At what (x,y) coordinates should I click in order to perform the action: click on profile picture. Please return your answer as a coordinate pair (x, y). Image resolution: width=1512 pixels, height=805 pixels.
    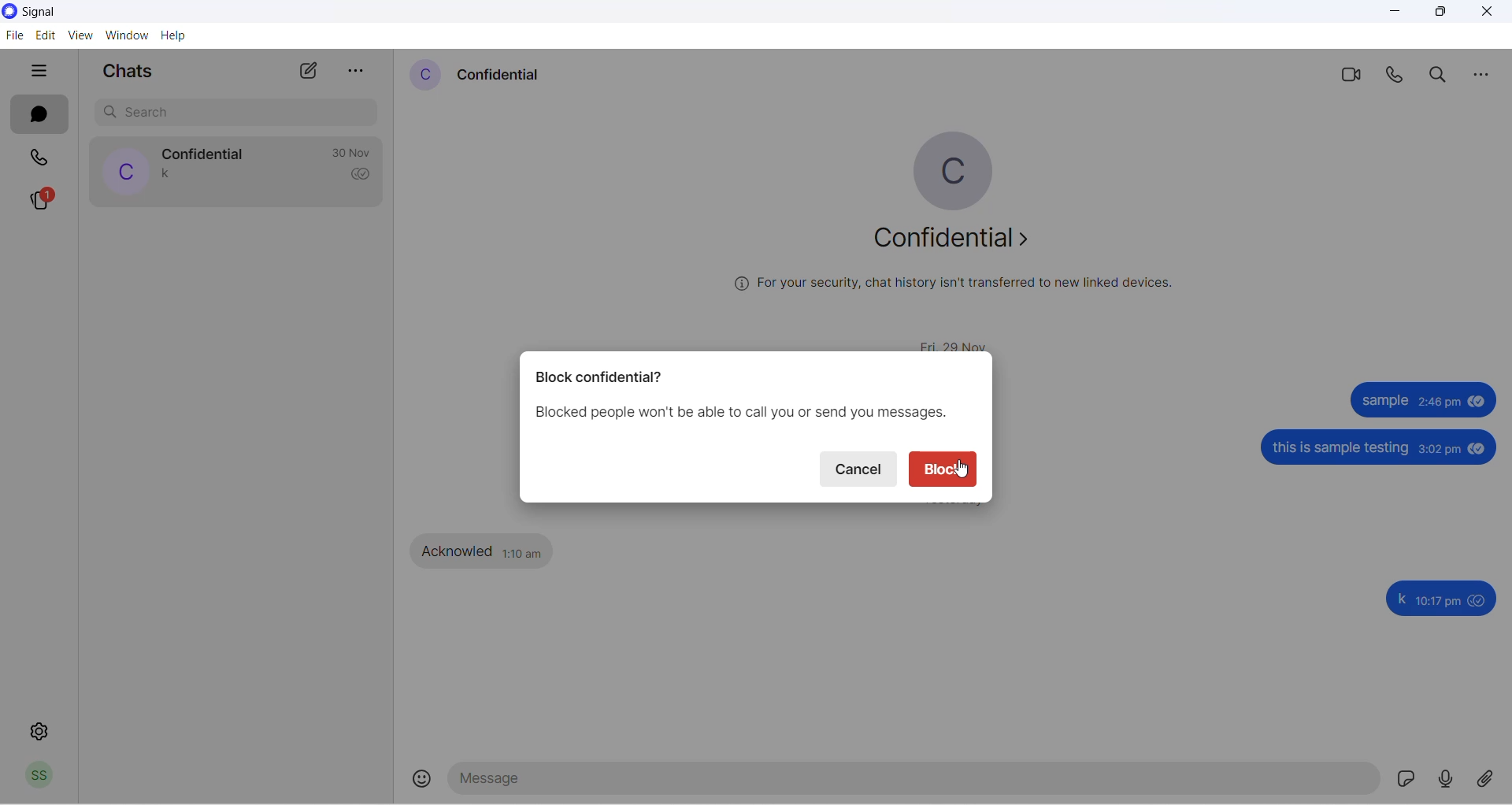
    Looking at the image, I should click on (948, 162).